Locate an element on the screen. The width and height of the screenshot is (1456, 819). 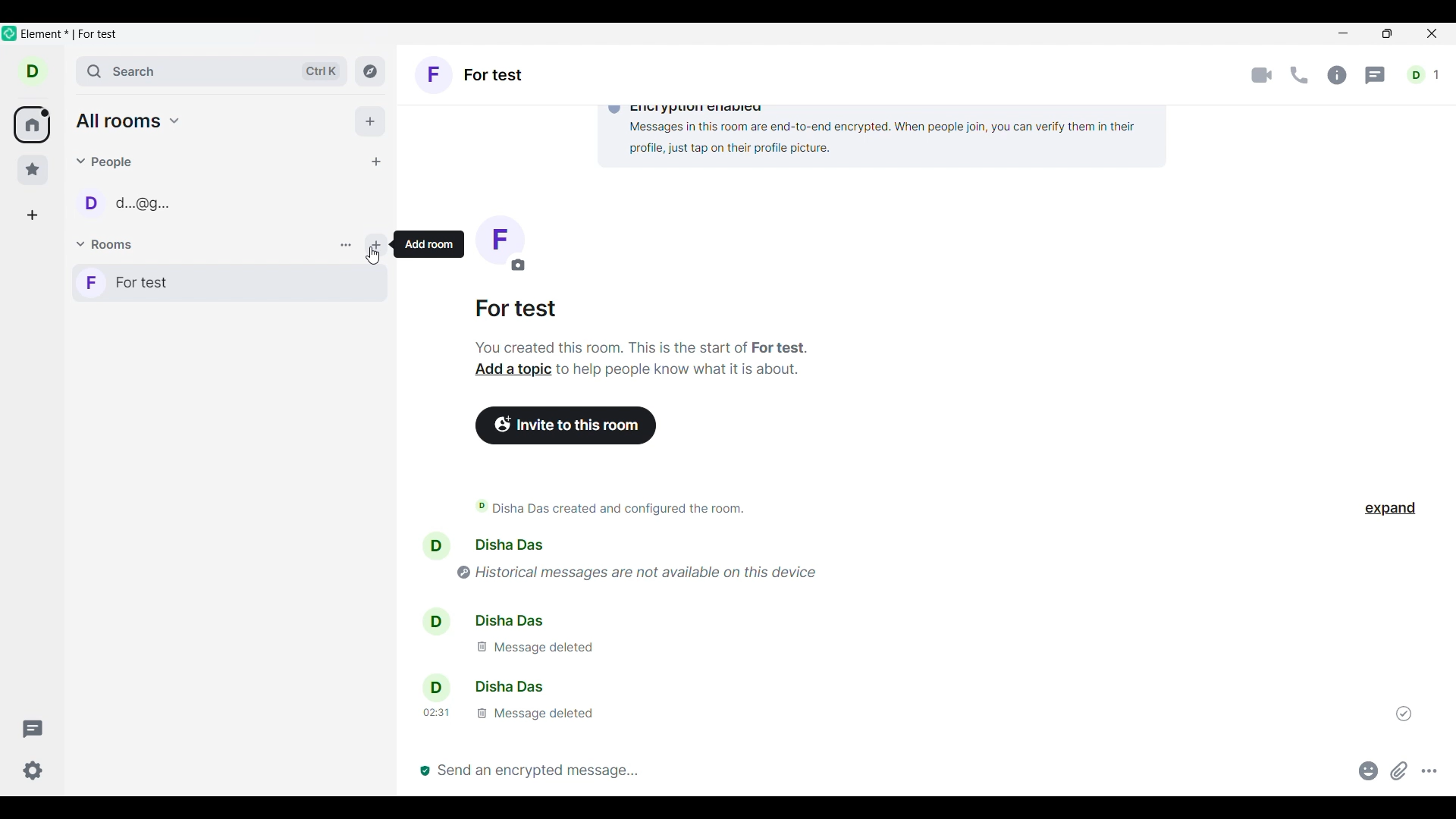
maximize is located at coordinates (1385, 36).